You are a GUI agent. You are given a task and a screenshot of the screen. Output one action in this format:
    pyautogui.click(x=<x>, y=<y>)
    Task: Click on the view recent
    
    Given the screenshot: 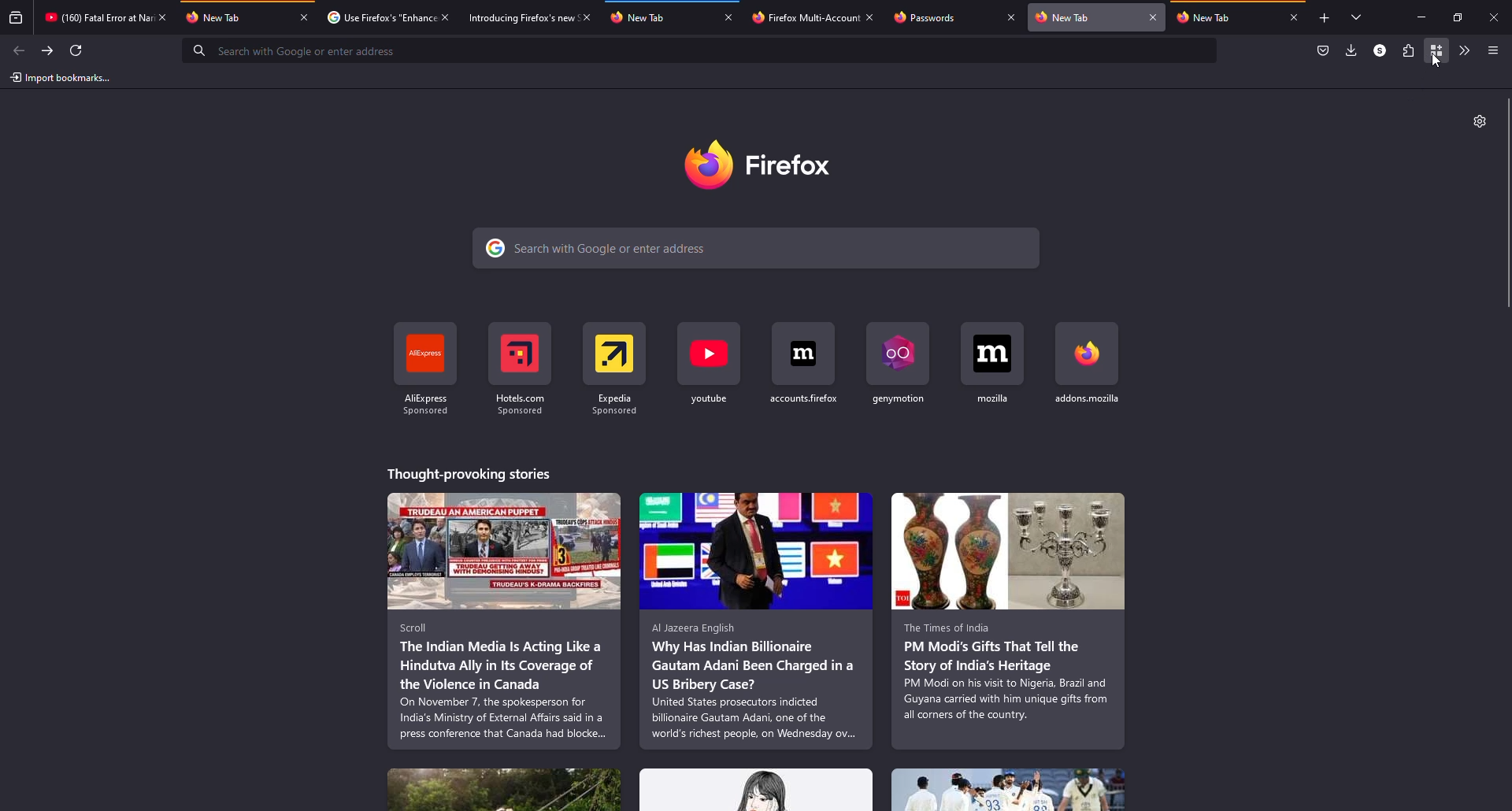 What is the action you would take?
    pyautogui.click(x=16, y=19)
    